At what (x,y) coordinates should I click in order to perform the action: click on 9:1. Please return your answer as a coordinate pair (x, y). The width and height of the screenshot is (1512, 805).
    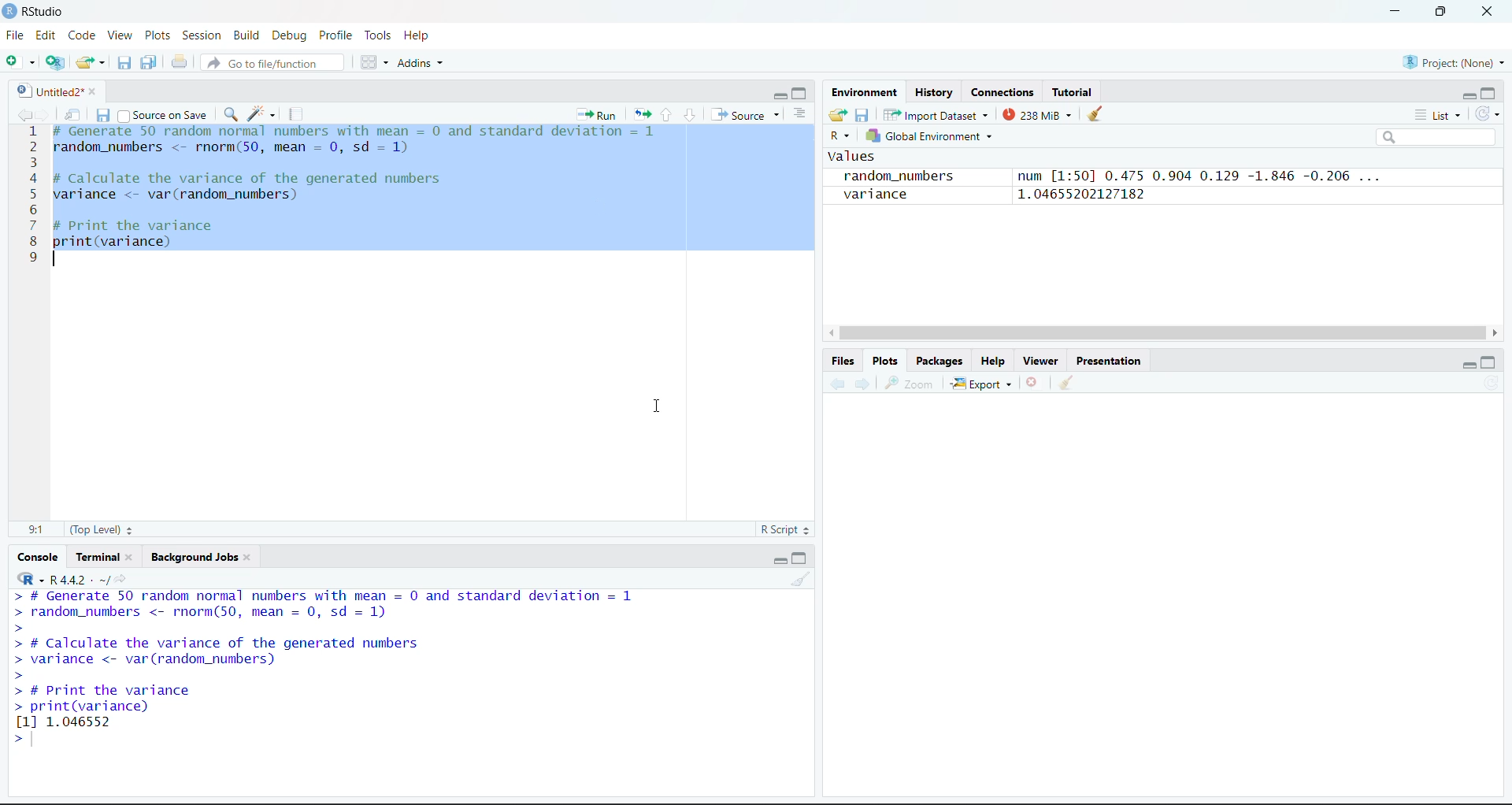
    Looking at the image, I should click on (36, 530).